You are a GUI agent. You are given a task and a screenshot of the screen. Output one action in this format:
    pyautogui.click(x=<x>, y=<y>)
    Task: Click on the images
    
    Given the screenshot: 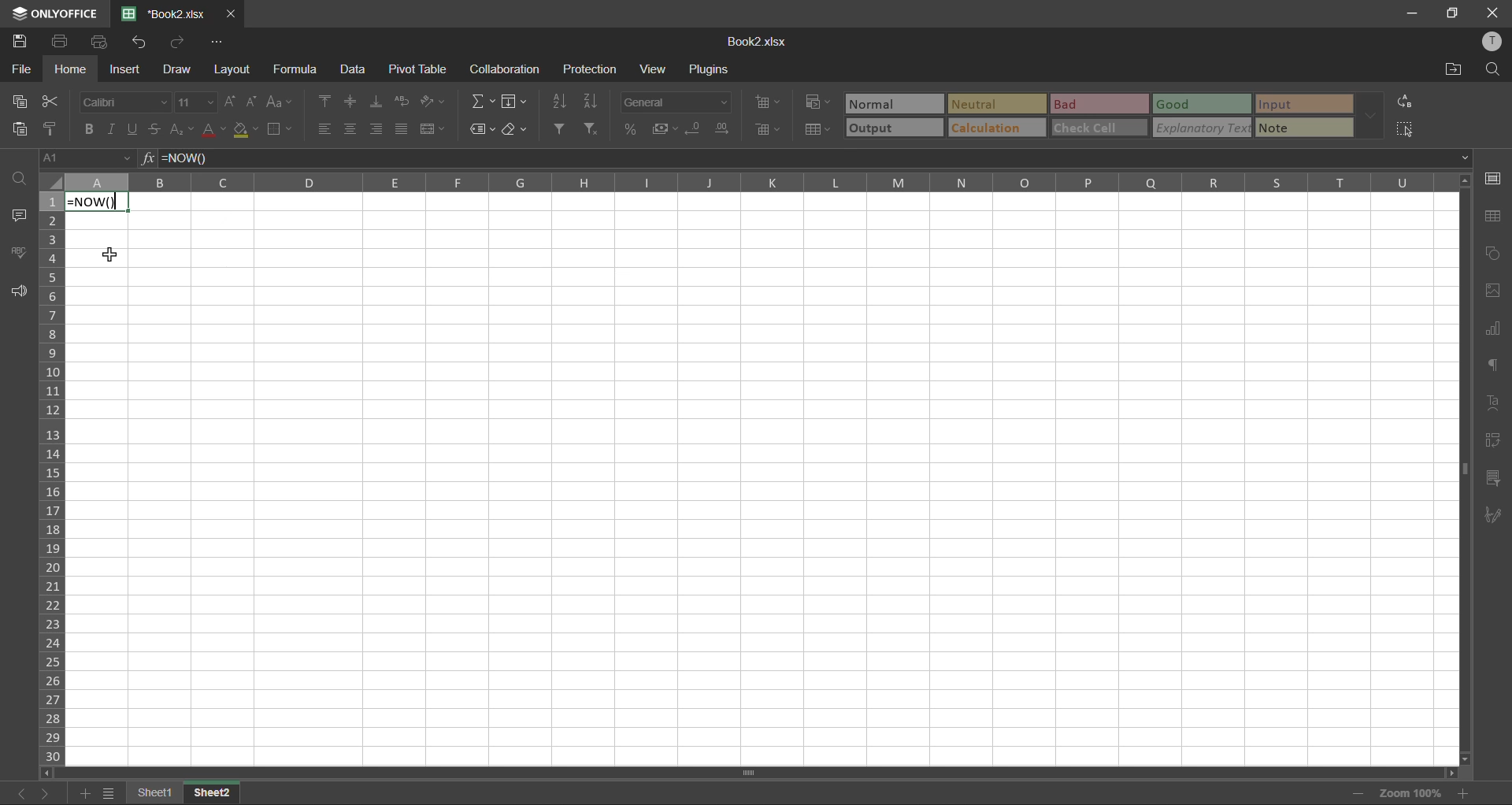 What is the action you would take?
    pyautogui.click(x=1493, y=291)
    